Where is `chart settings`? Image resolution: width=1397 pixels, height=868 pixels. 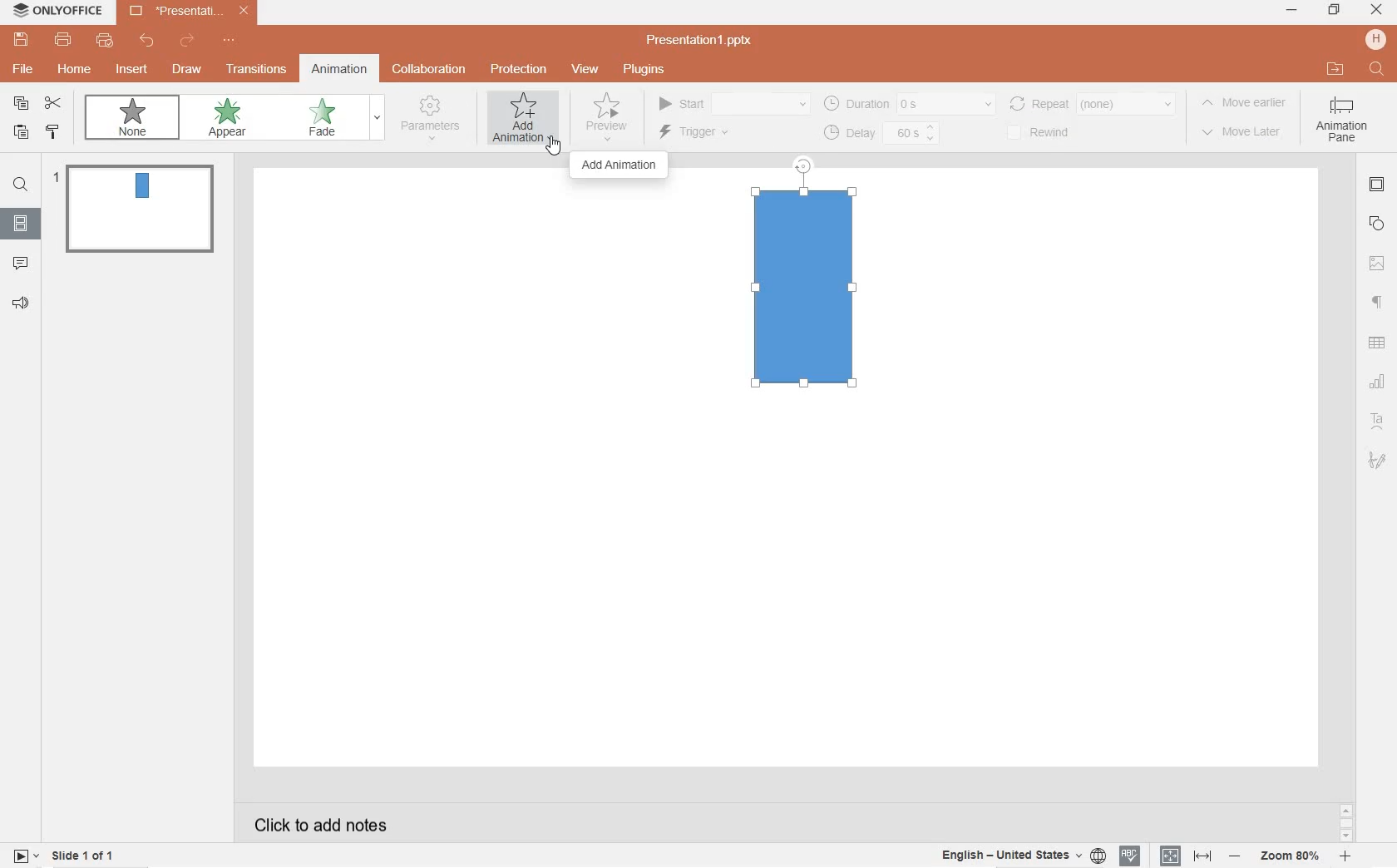
chart settings is located at coordinates (1379, 382).